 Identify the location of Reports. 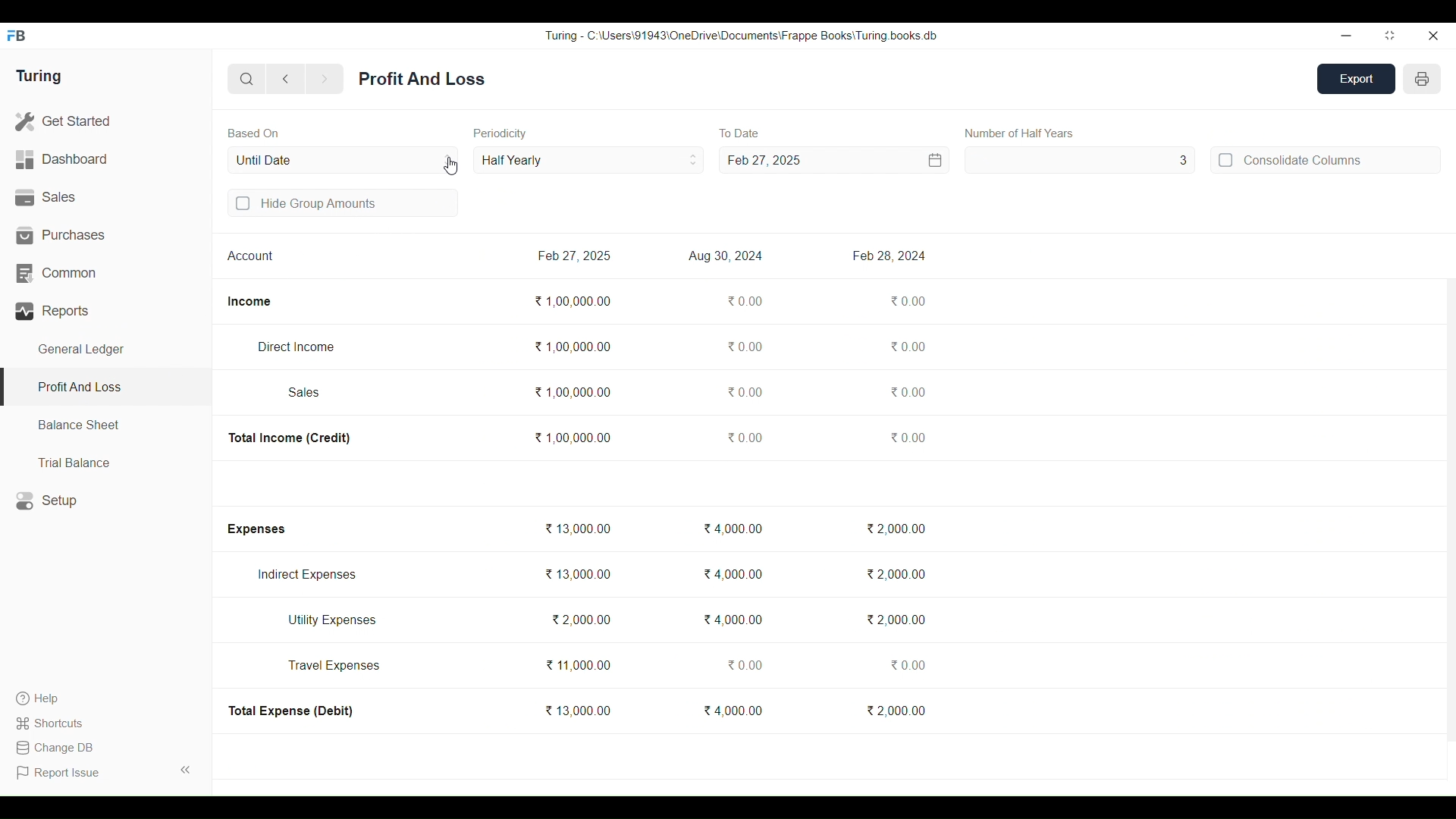
(106, 311).